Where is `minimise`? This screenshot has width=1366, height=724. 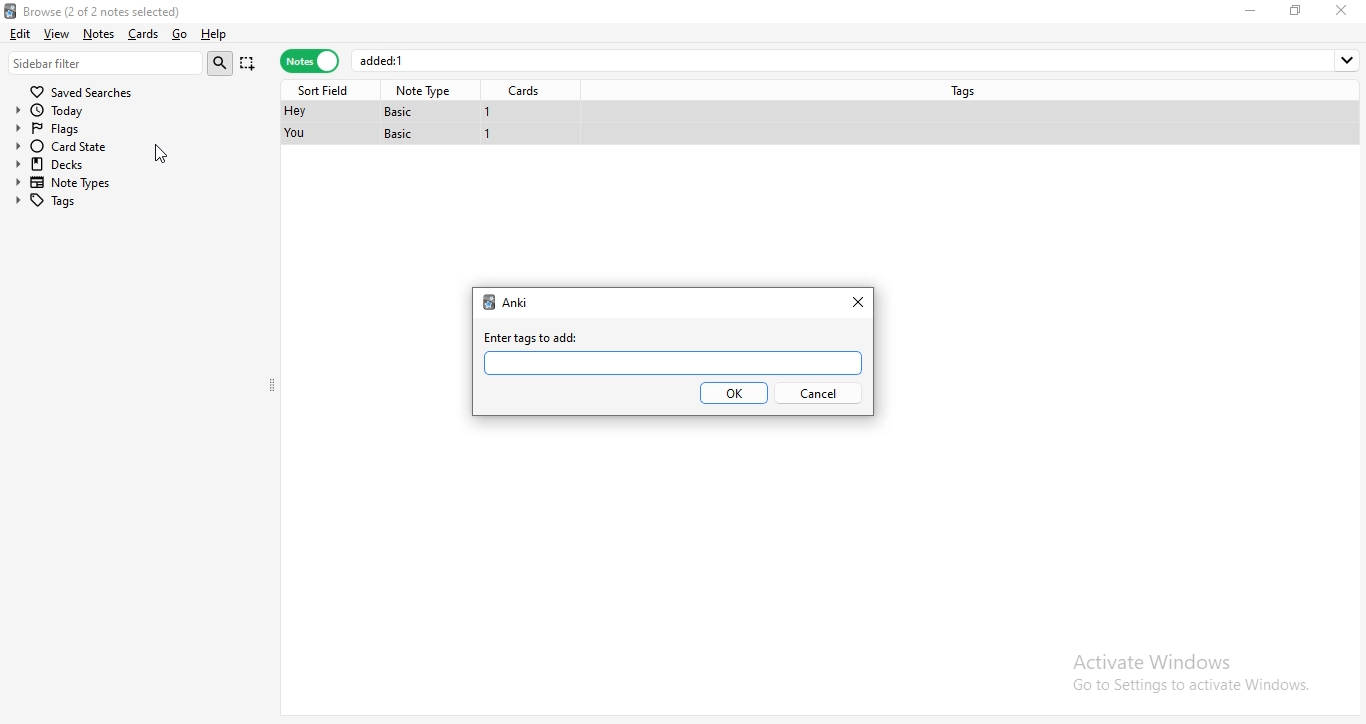 minimise is located at coordinates (1254, 10).